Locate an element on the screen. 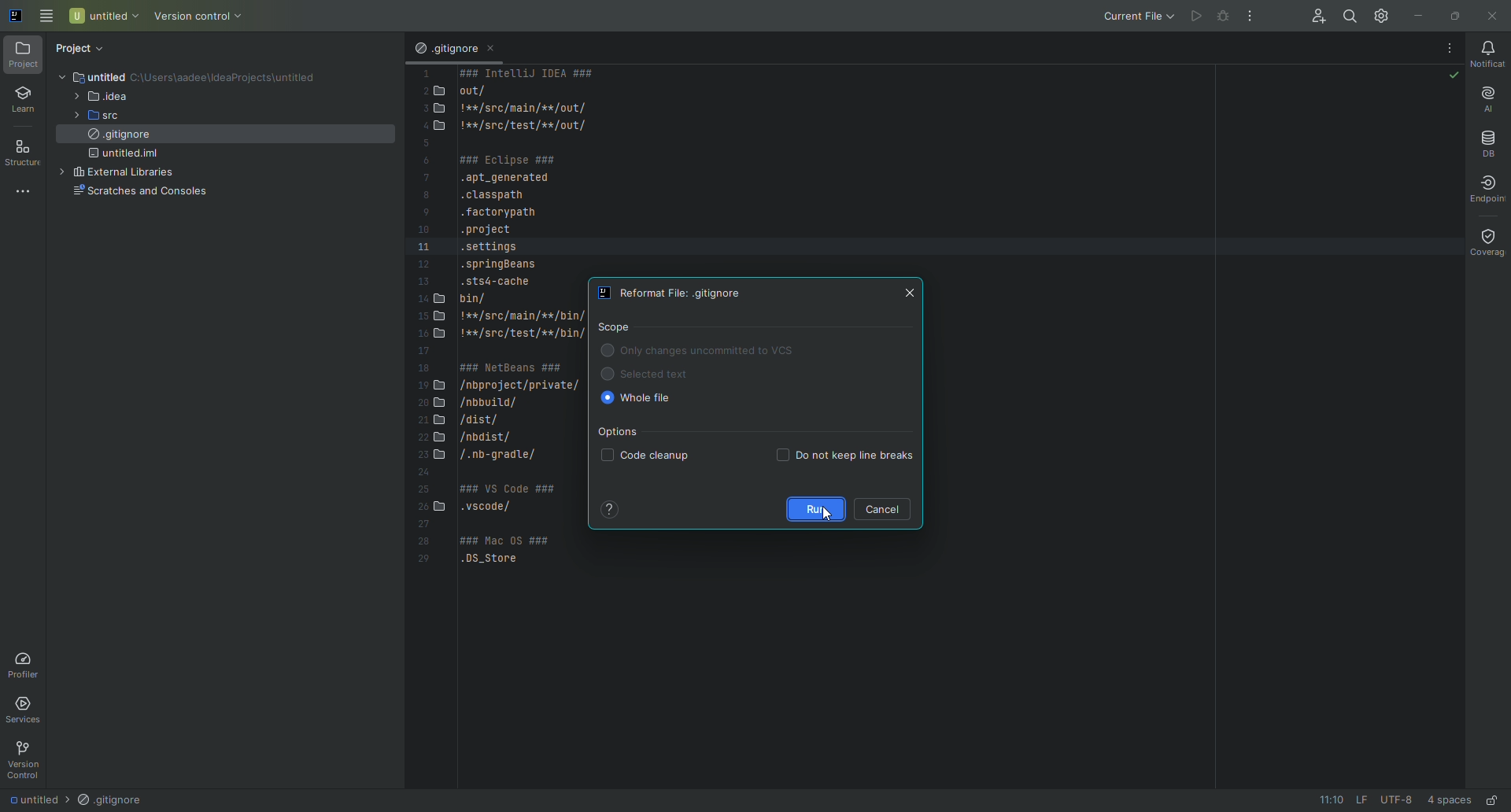  gitignore is located at coordinates (119, 138).